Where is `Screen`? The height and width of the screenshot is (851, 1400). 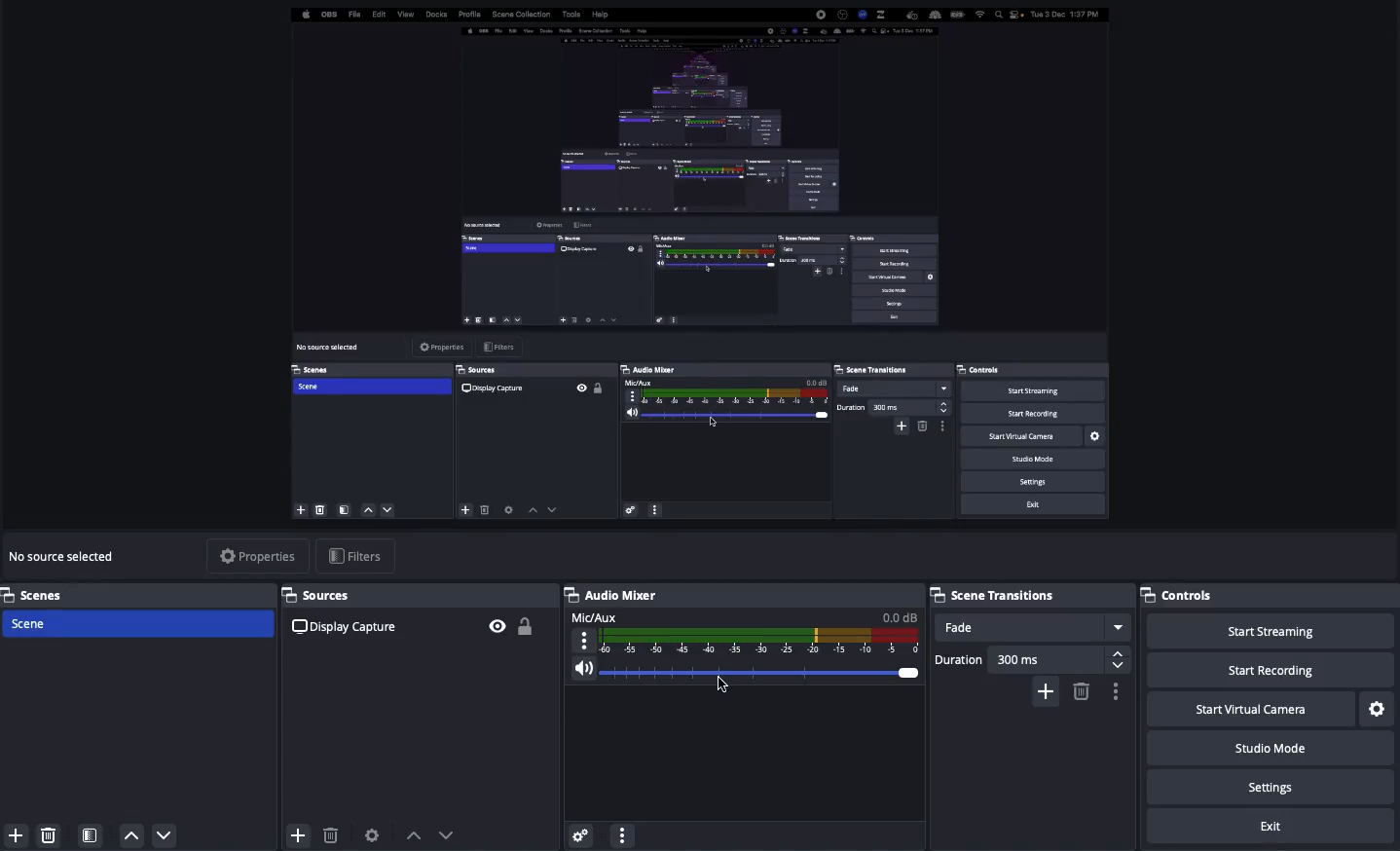
Screen is located at coordinates (699, 263).